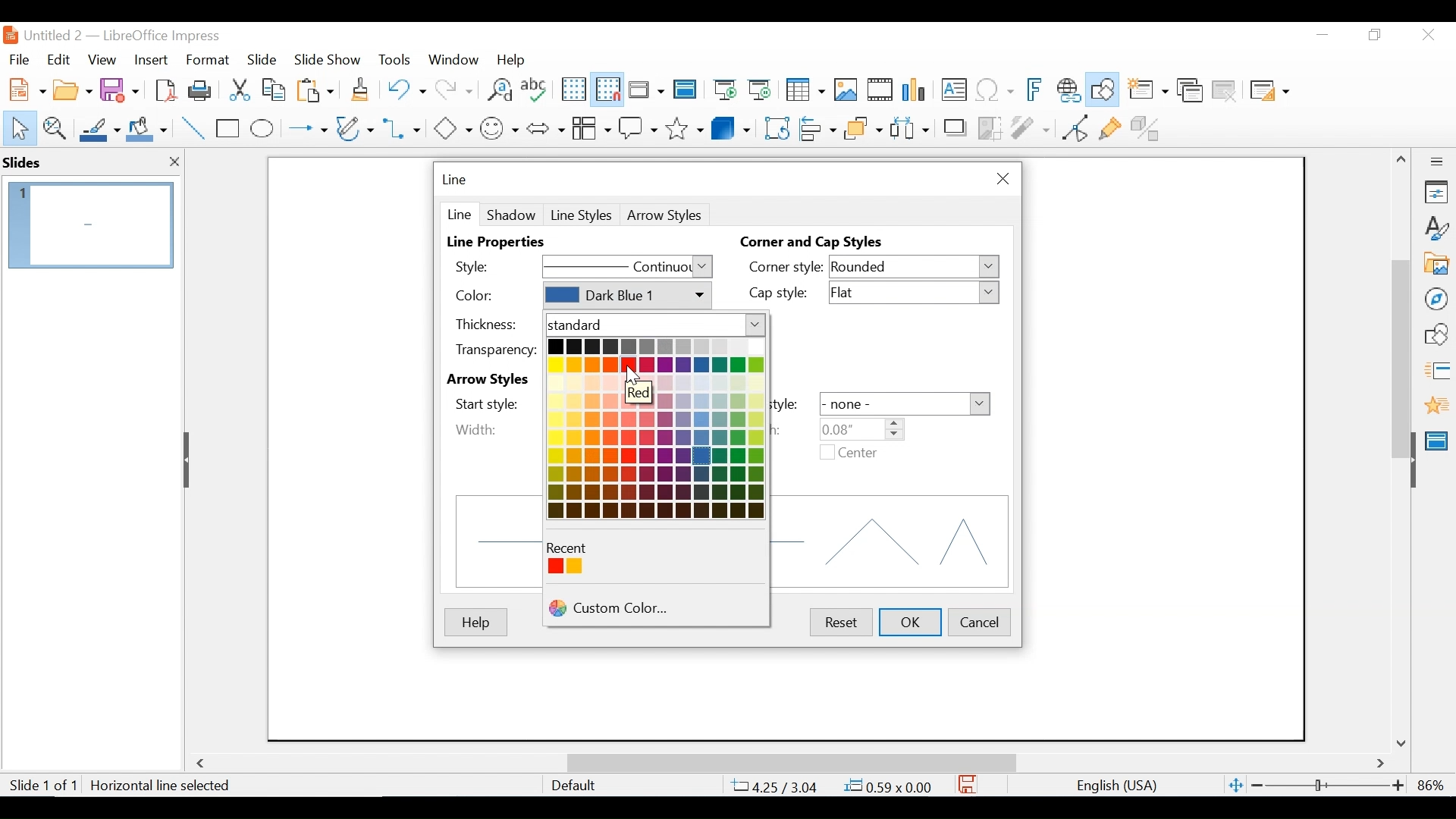  Describe the element at coordinates (149, 60) in the screenshot. I see `Insert` at that location.